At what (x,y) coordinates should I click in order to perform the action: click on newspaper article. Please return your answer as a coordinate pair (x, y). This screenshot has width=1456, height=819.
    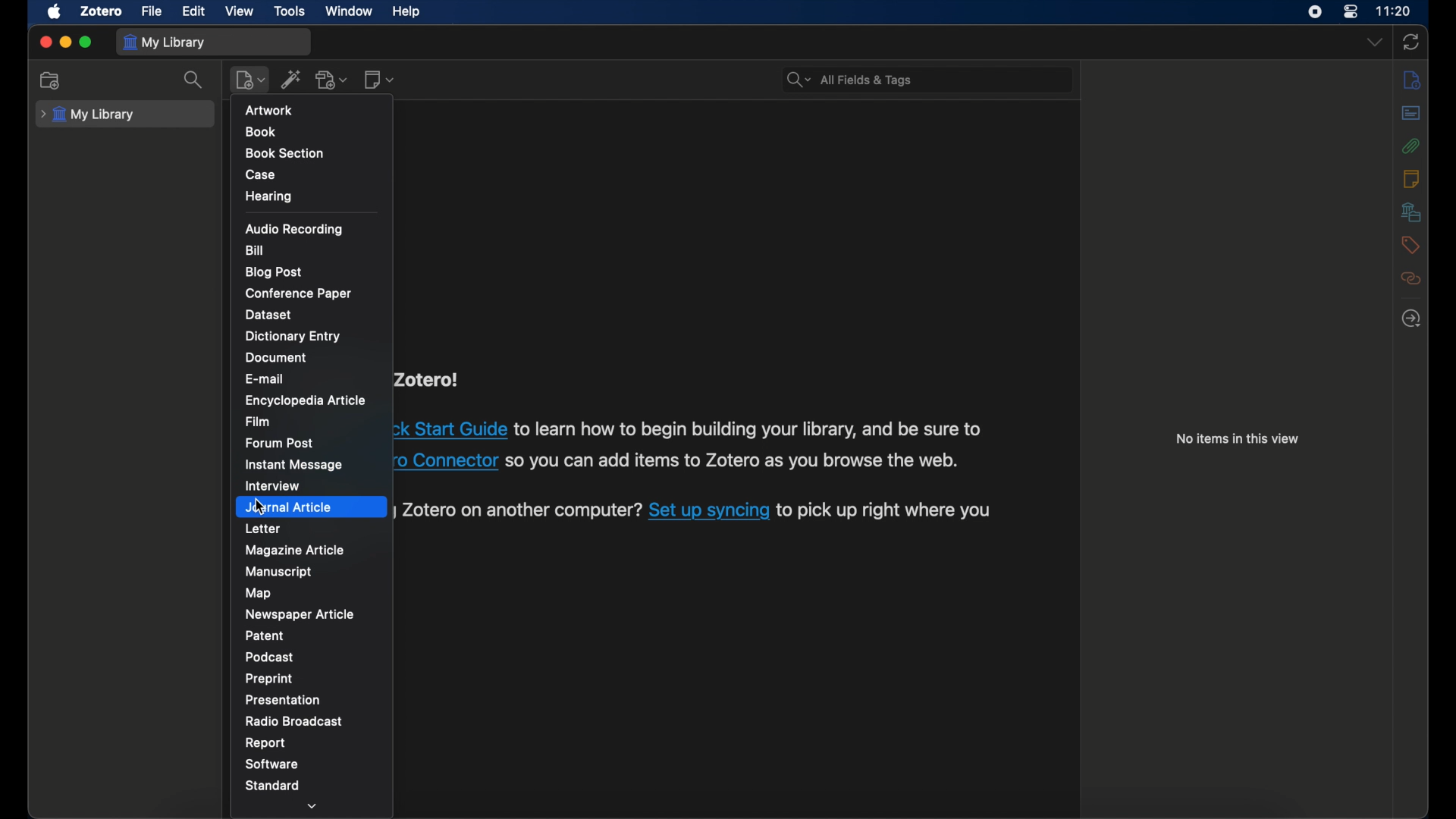
    Looking at the image, I should click on (300, 614).